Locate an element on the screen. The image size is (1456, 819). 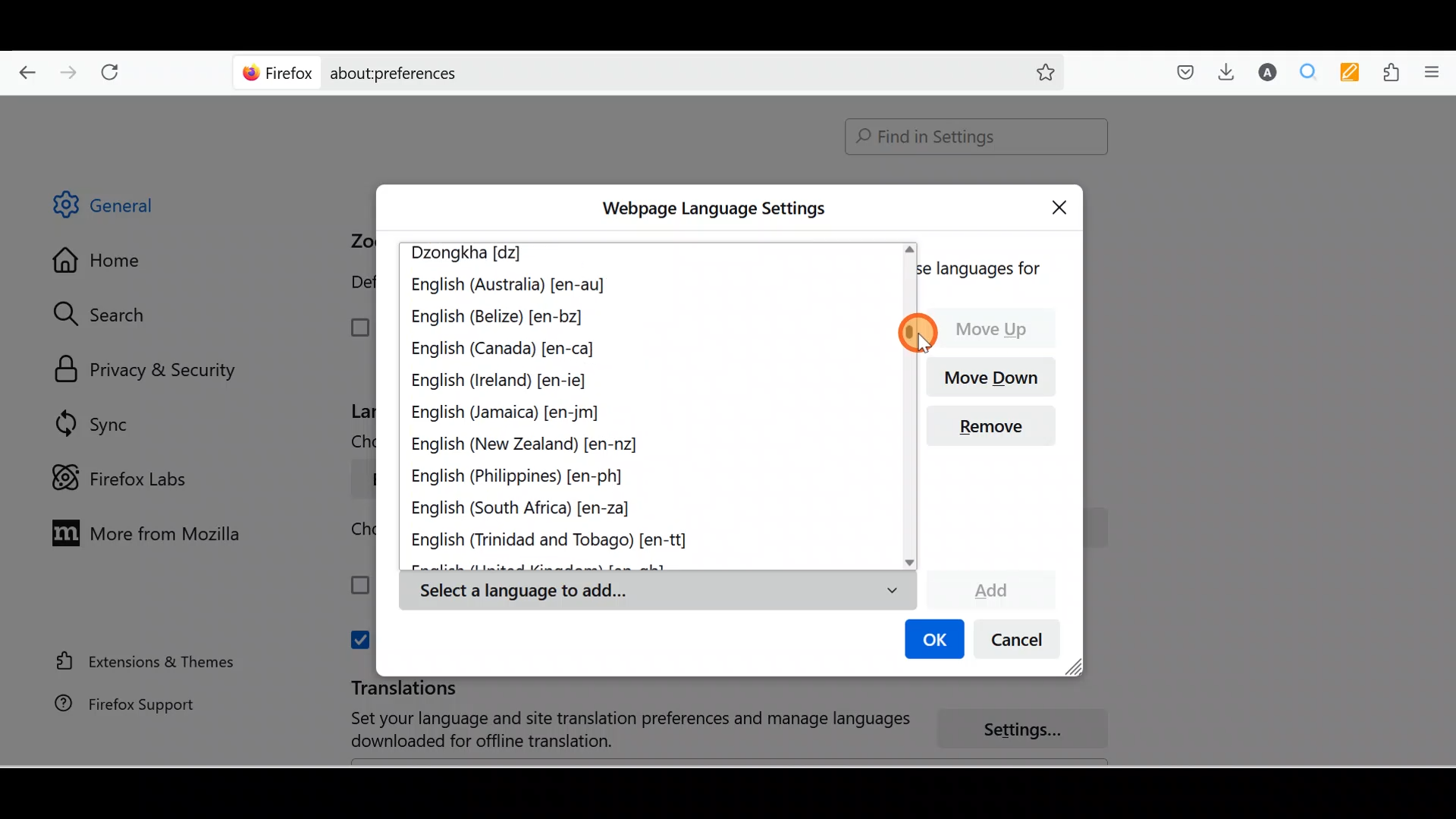
Scroll bar is located at coordinates (1445, 431).